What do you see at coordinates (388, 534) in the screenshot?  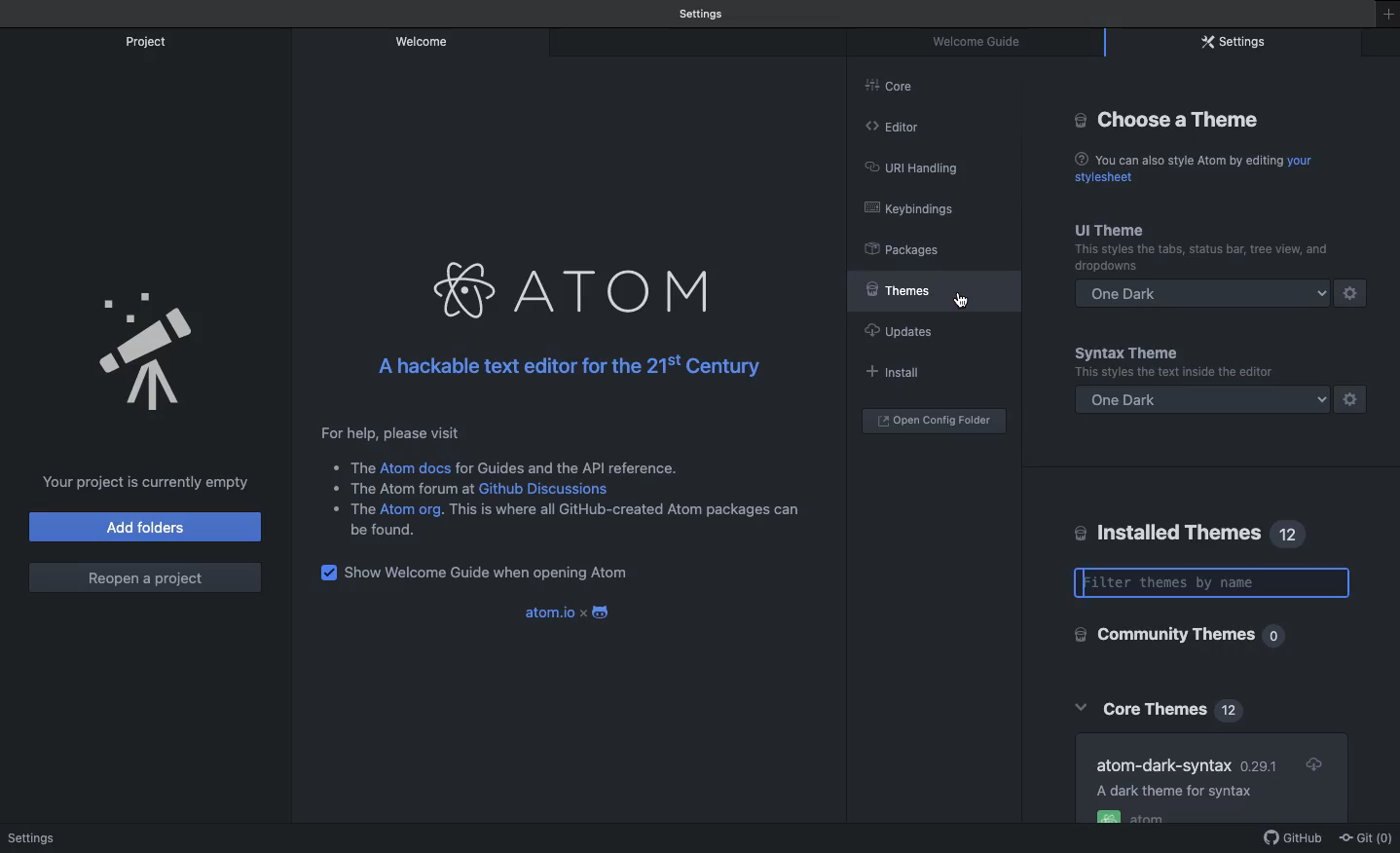 I see `be found.` at bounding box center [388, 534].